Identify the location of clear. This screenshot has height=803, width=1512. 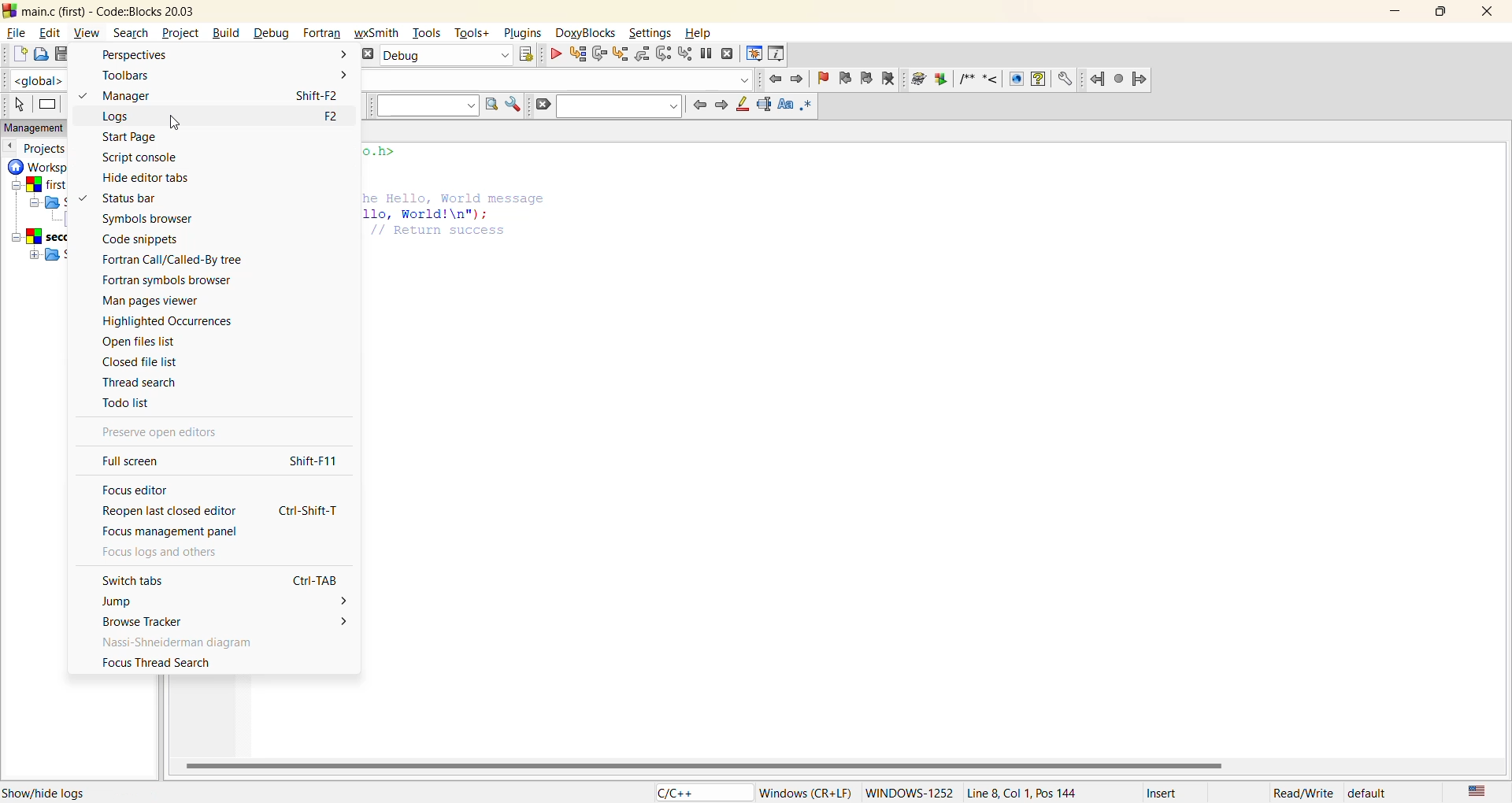
(543, 103).